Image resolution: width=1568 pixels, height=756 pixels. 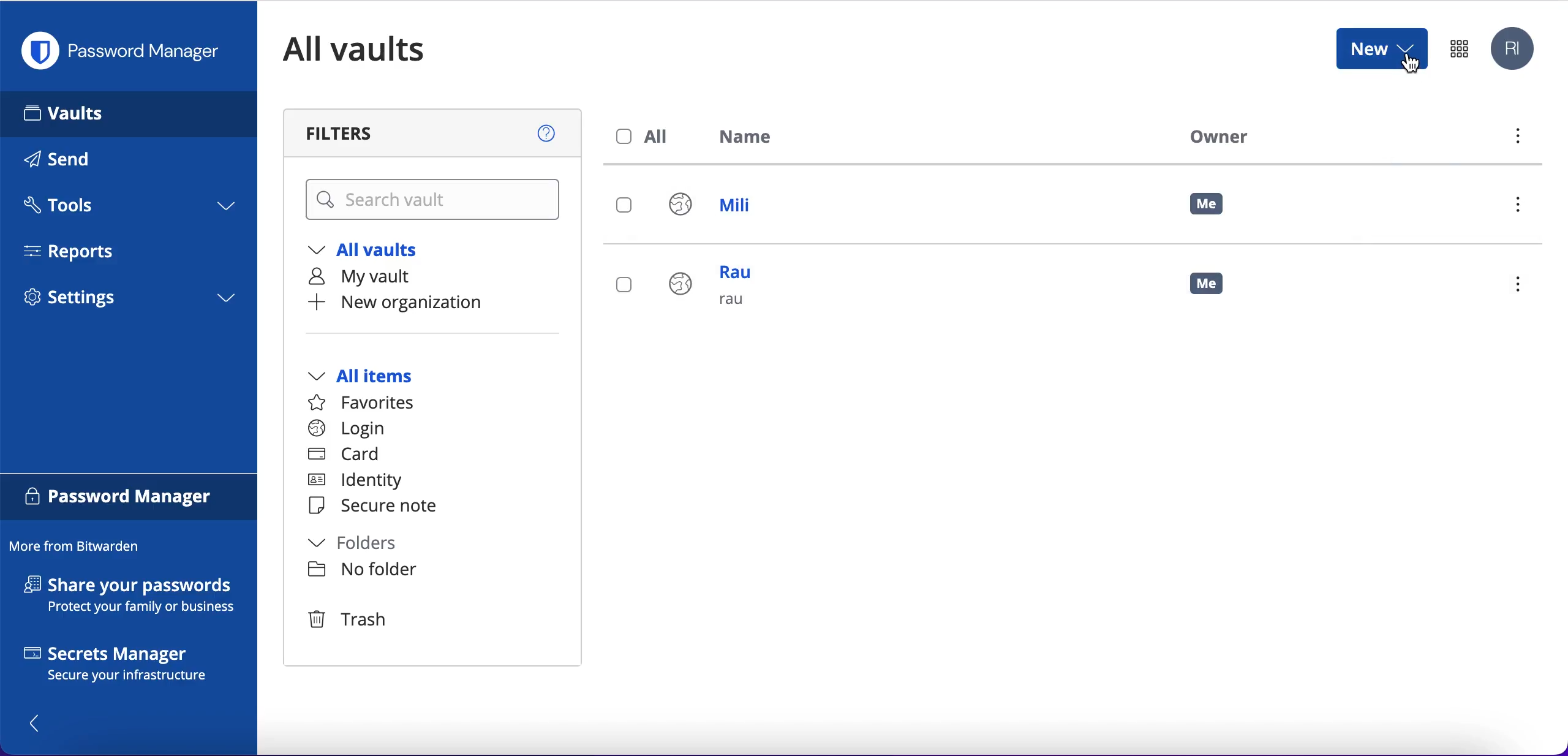 I want to click on secure note, so click(x=379, y=507).